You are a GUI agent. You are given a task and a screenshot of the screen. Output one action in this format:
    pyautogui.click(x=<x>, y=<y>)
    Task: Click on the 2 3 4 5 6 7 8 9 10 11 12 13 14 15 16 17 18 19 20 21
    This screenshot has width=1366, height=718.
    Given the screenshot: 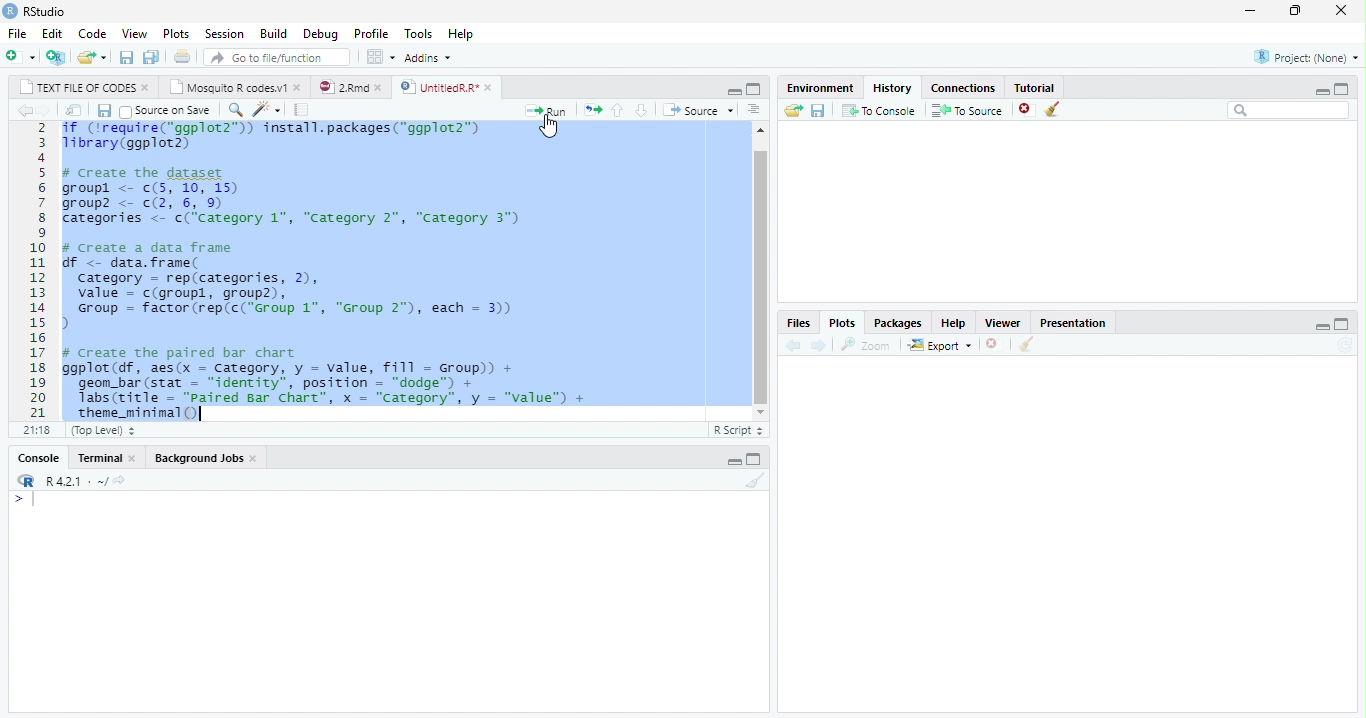 What is the action you would take?
    pyautogui.click(x=39, y=270)
    